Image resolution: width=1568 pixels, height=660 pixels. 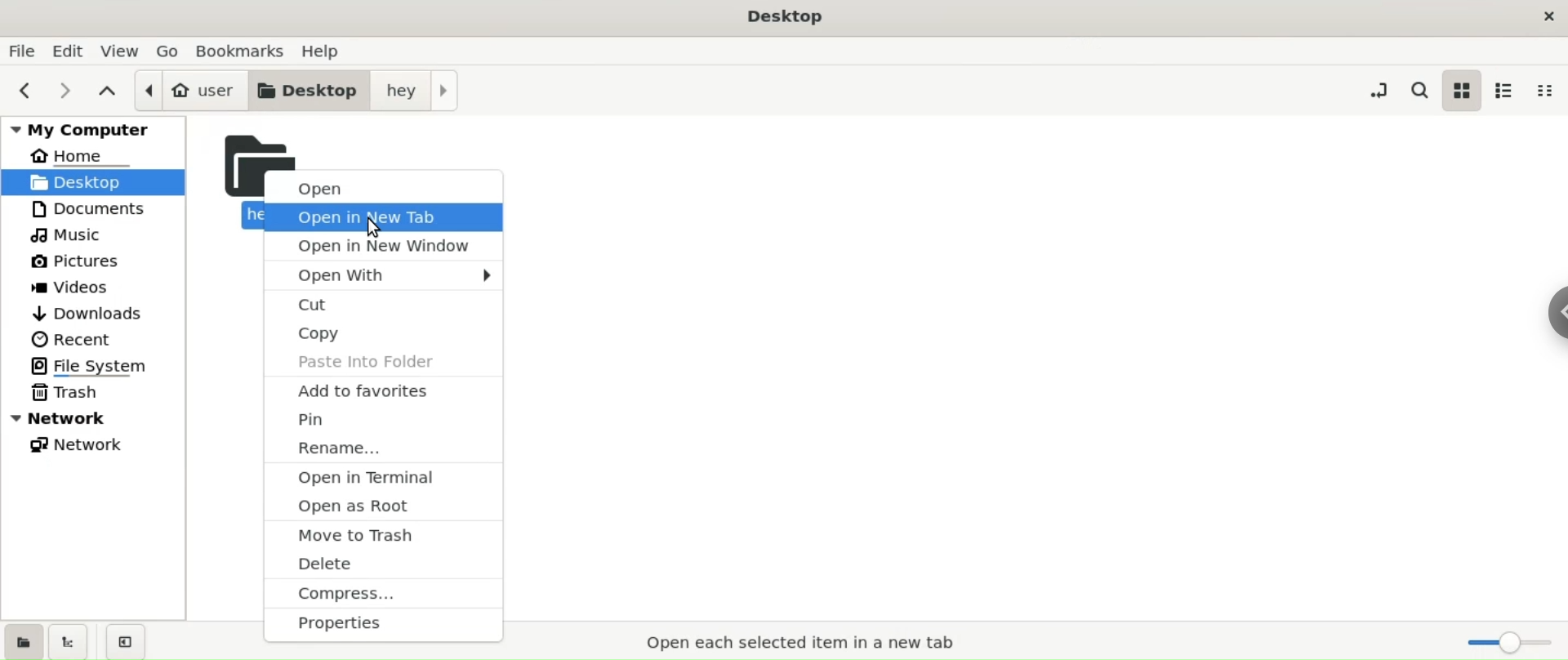 I want to click on file system, so click(x=101, y=366).